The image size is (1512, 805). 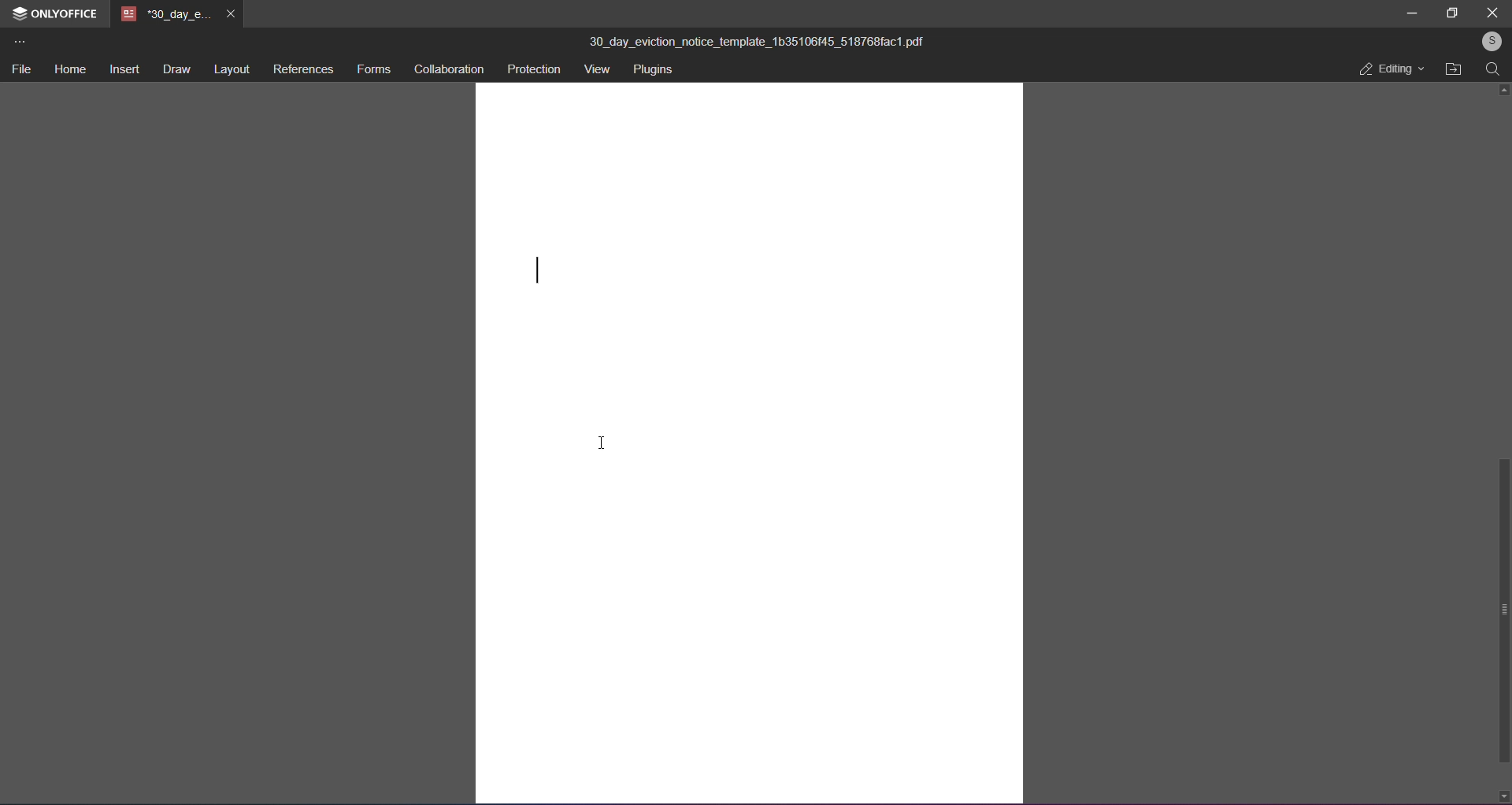 I want to click on draw, so click(x=176, y=72).